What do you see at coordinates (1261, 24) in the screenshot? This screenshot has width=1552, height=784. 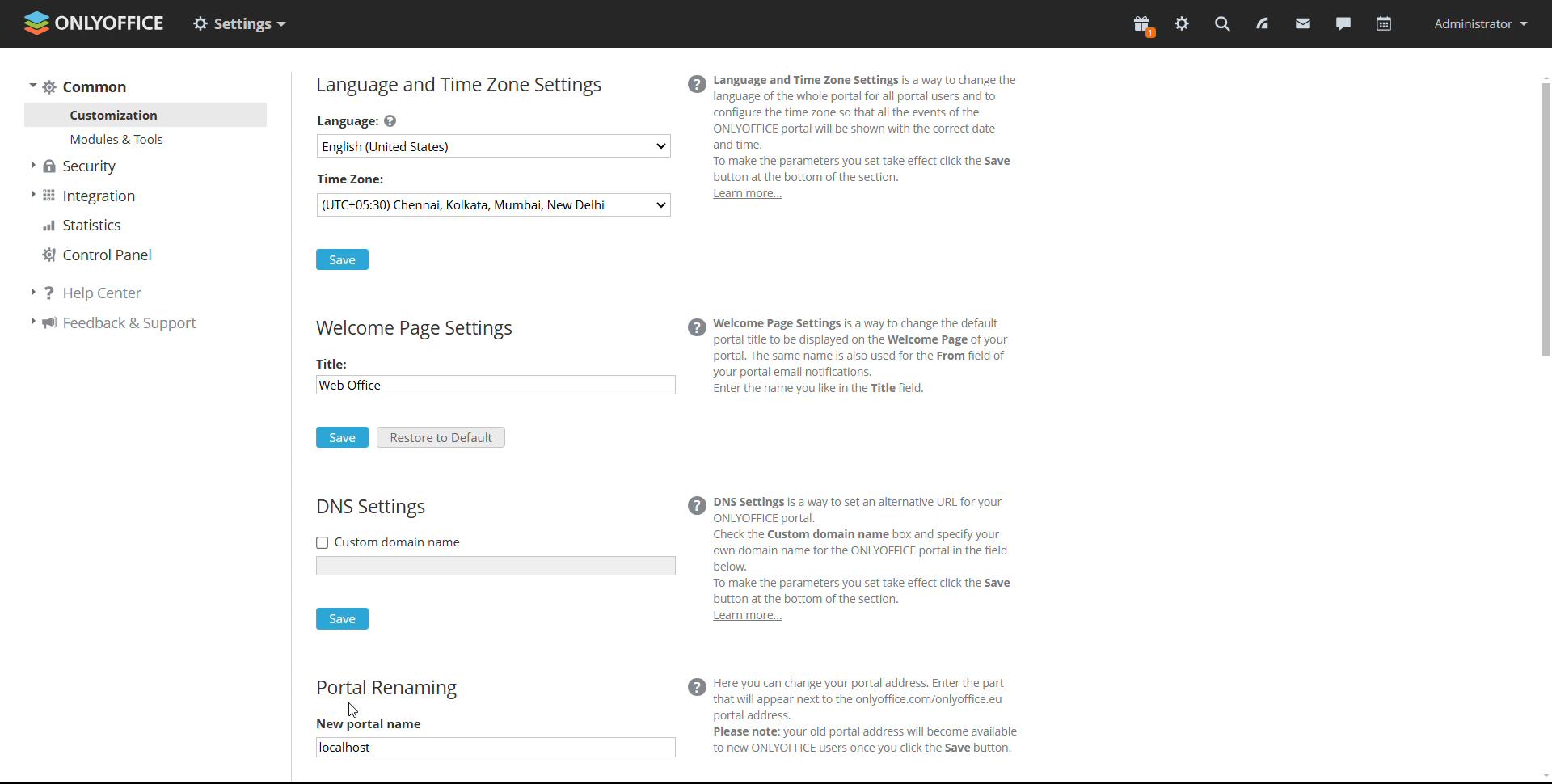 I see `feed` at bounding box center [1261, 24].